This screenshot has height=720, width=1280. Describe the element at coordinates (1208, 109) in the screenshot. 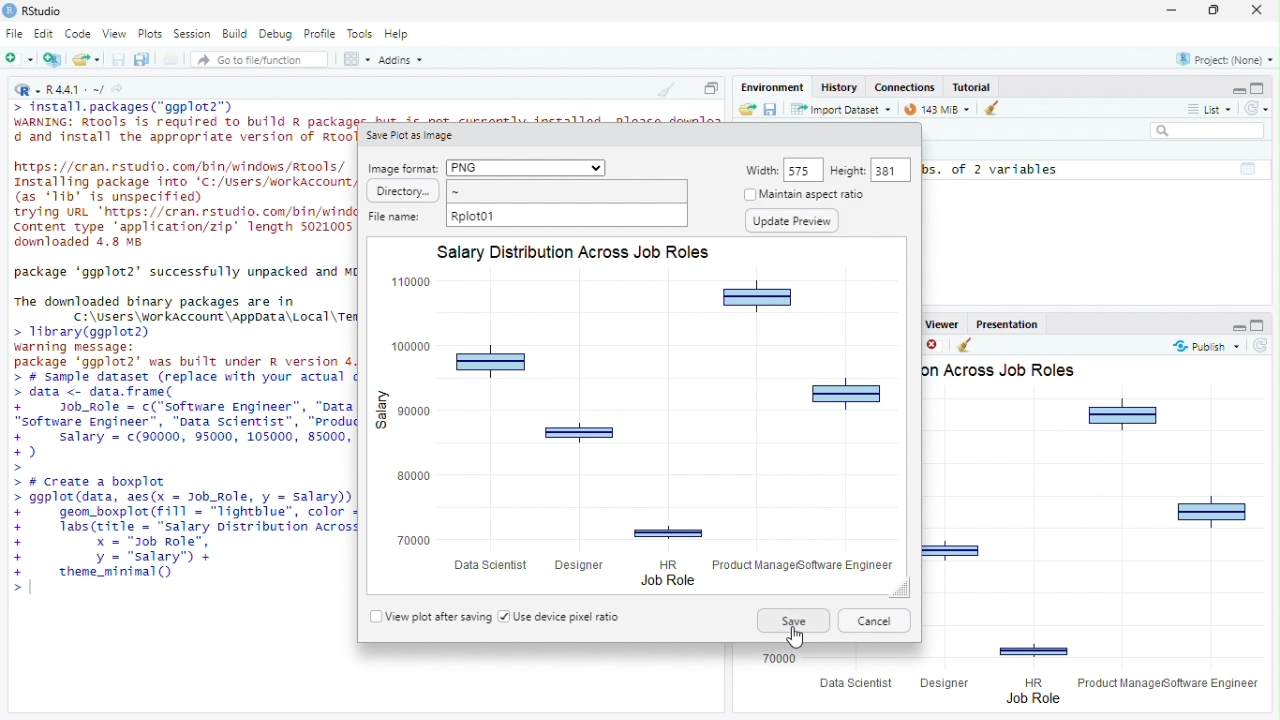

I see `list view` at that location.